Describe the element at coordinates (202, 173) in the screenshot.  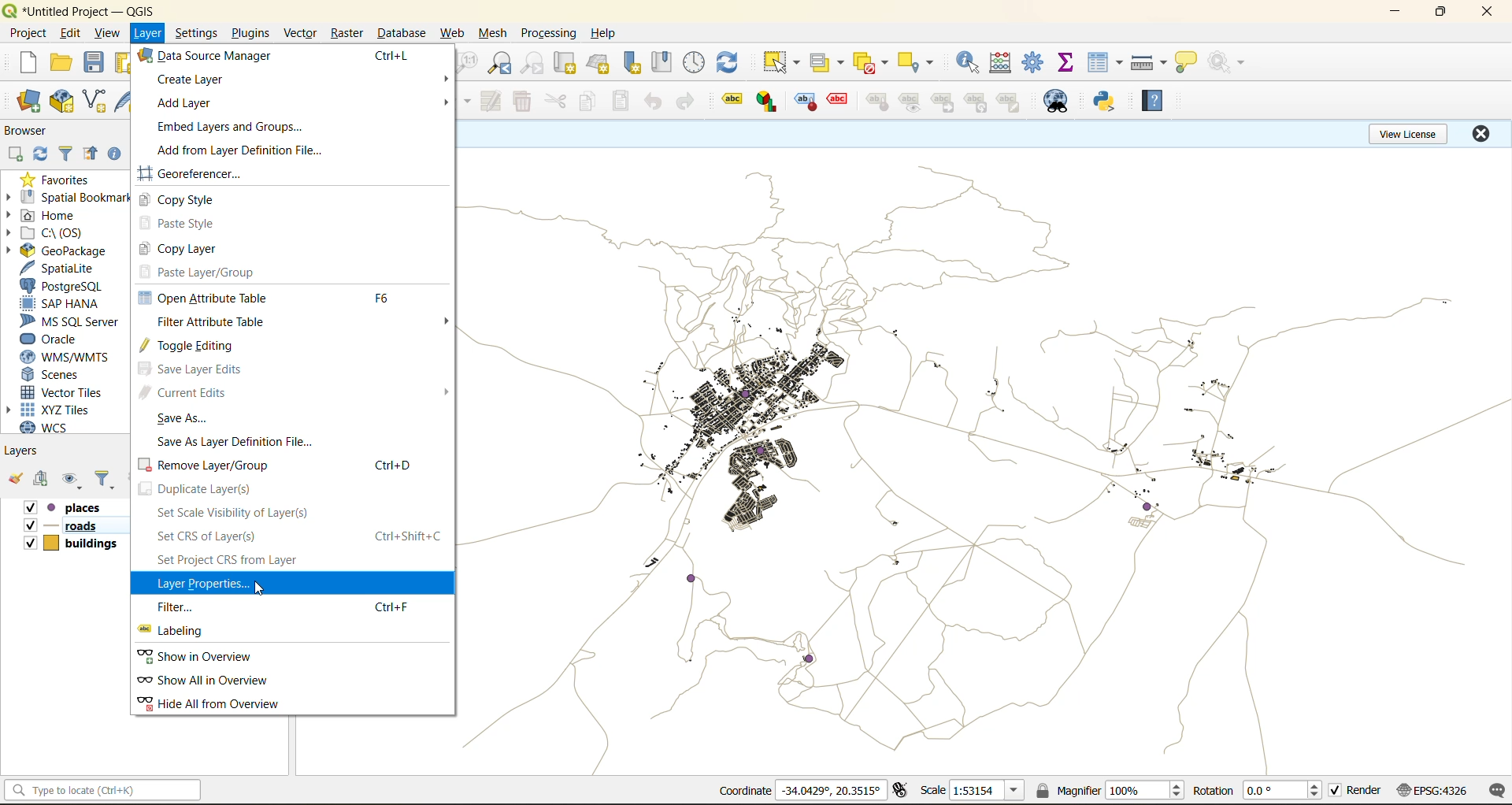
I see `georeferencer` at that location.